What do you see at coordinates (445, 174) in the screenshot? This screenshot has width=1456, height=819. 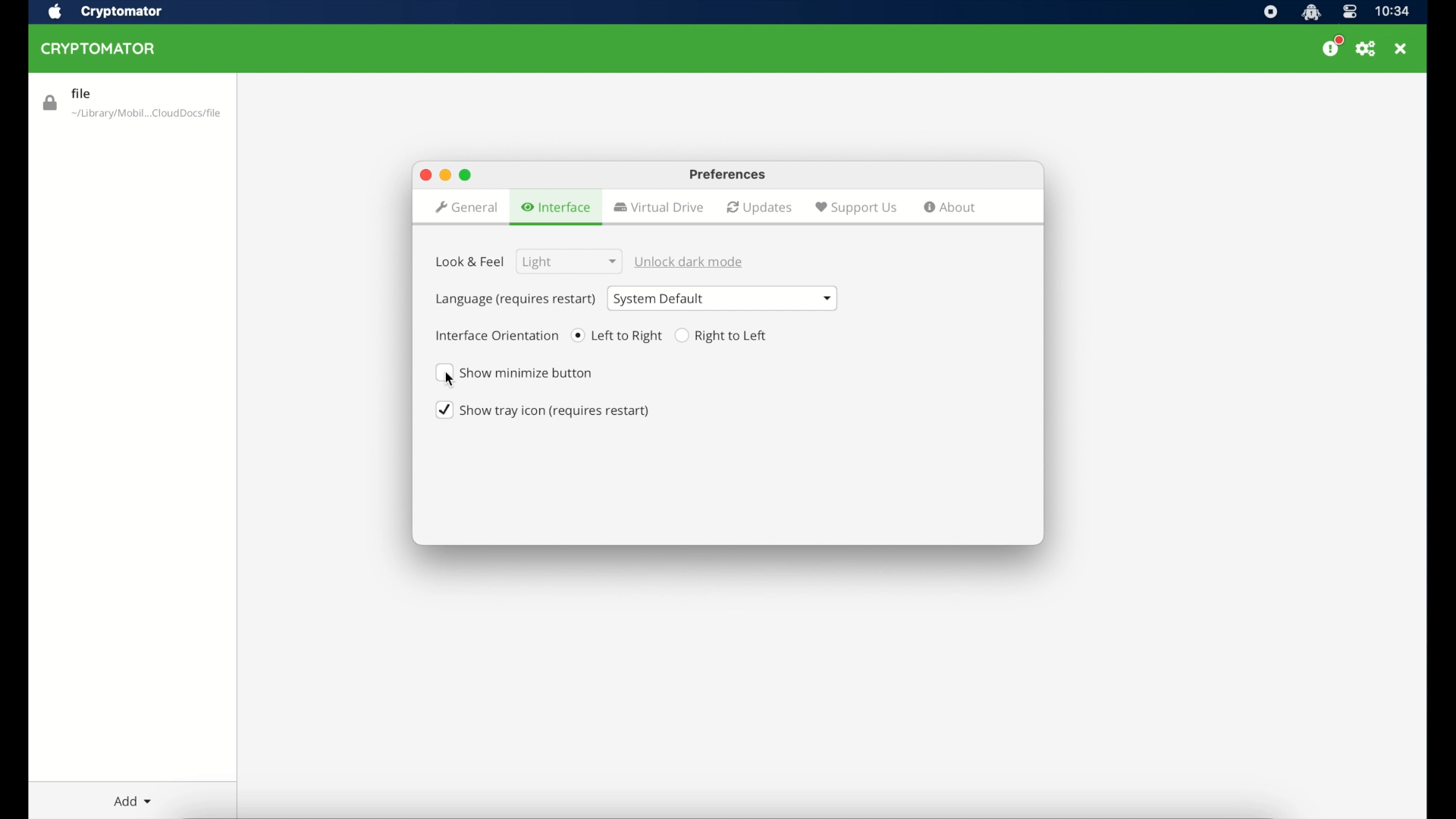 I see `minimize` at bounding box center [445, 174].